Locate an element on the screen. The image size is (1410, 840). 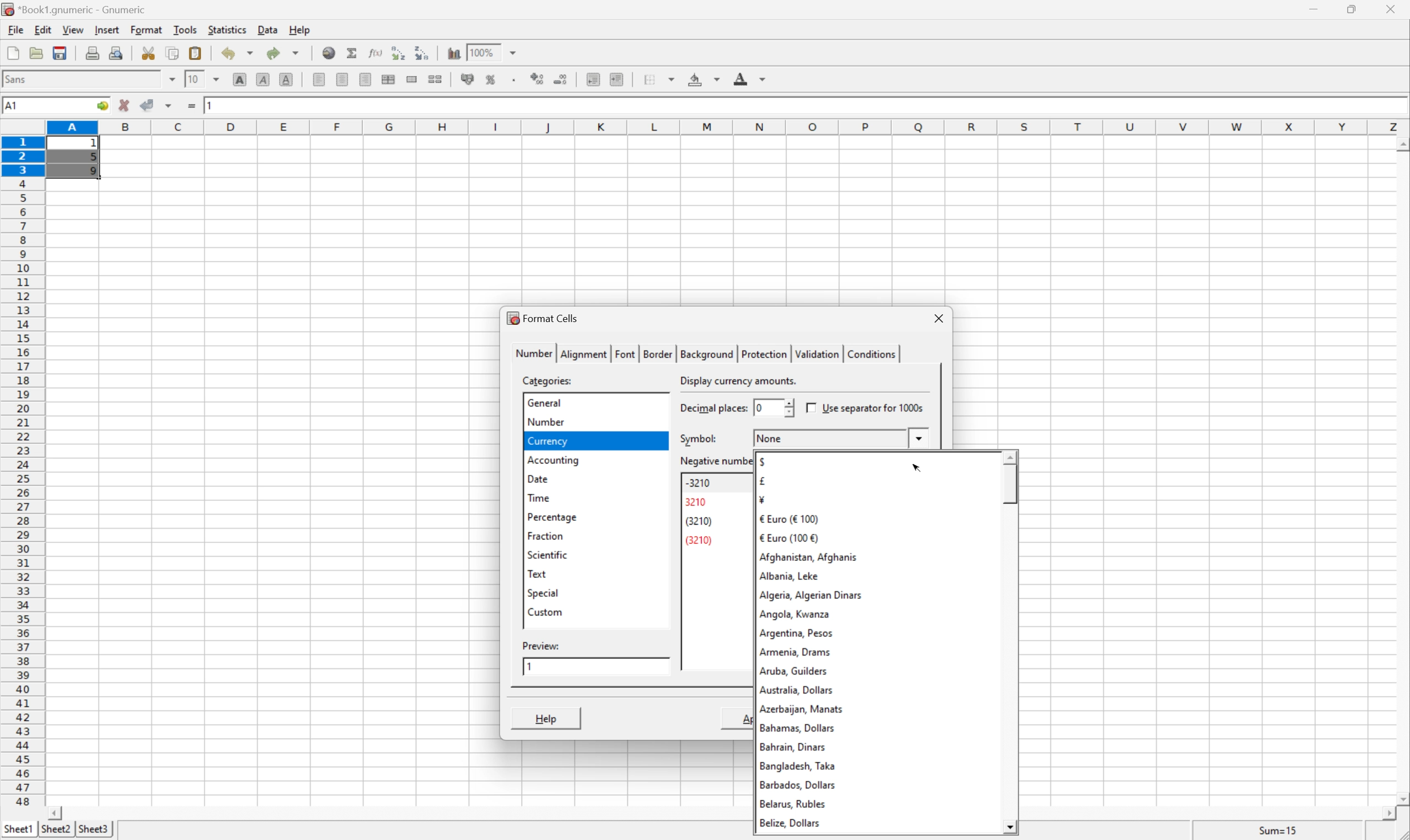
Set the format of the selected cells to include a thousands separator is located at coordinates (516, 80).